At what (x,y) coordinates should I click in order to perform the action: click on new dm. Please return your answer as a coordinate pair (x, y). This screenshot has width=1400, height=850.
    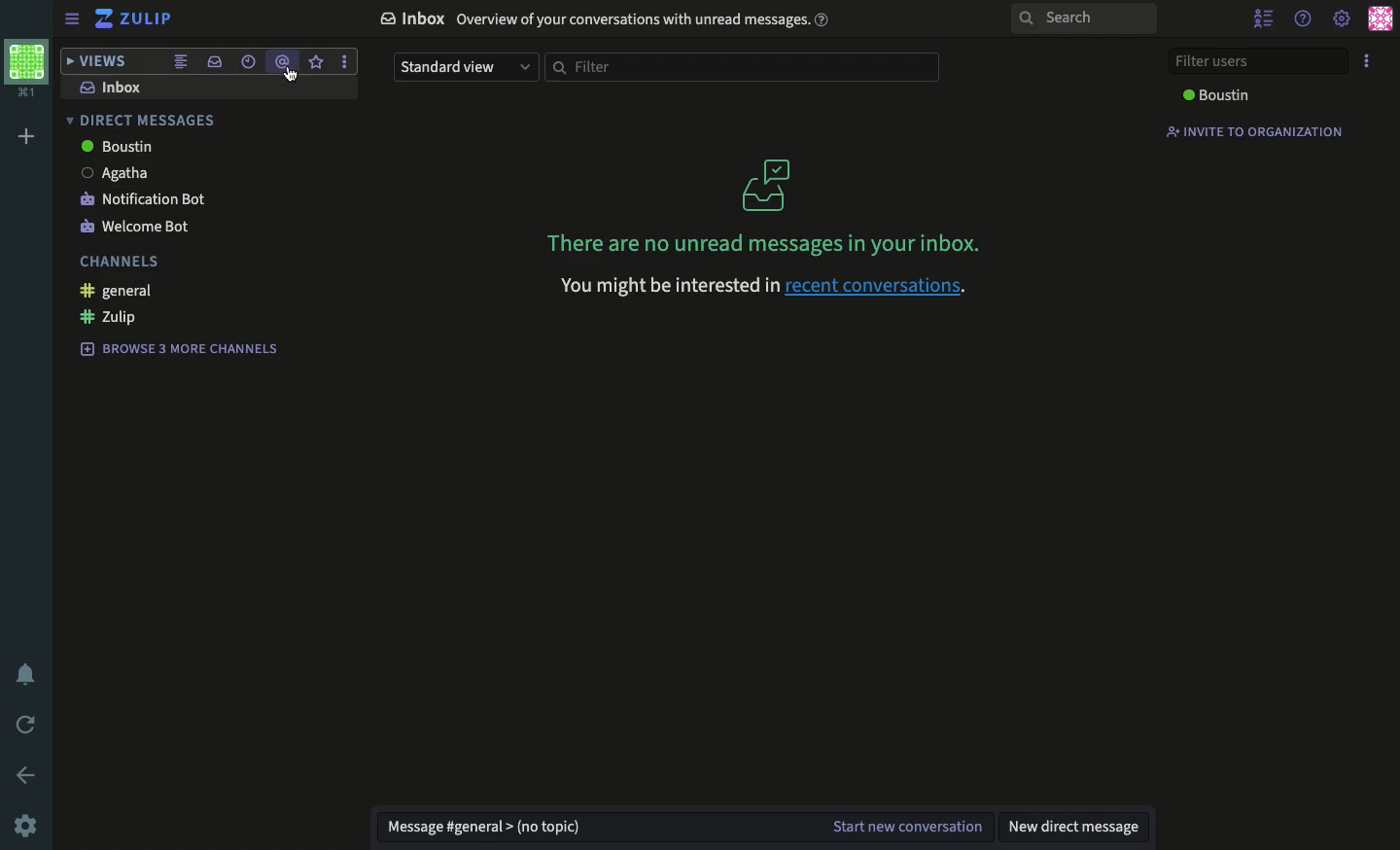
    Looking at the image, I should click on (1073, 828).